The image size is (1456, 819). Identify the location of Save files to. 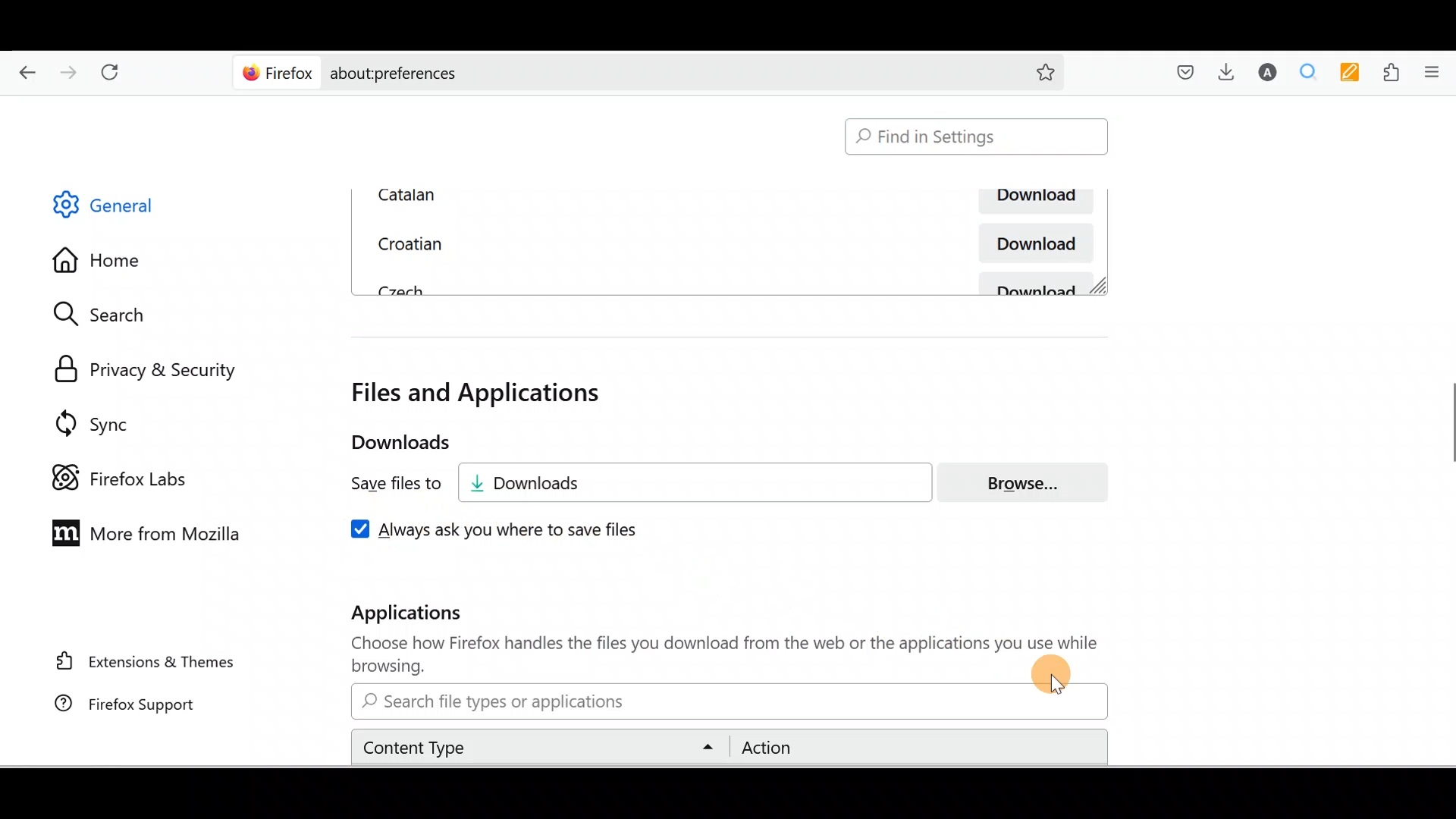
(384, 485).